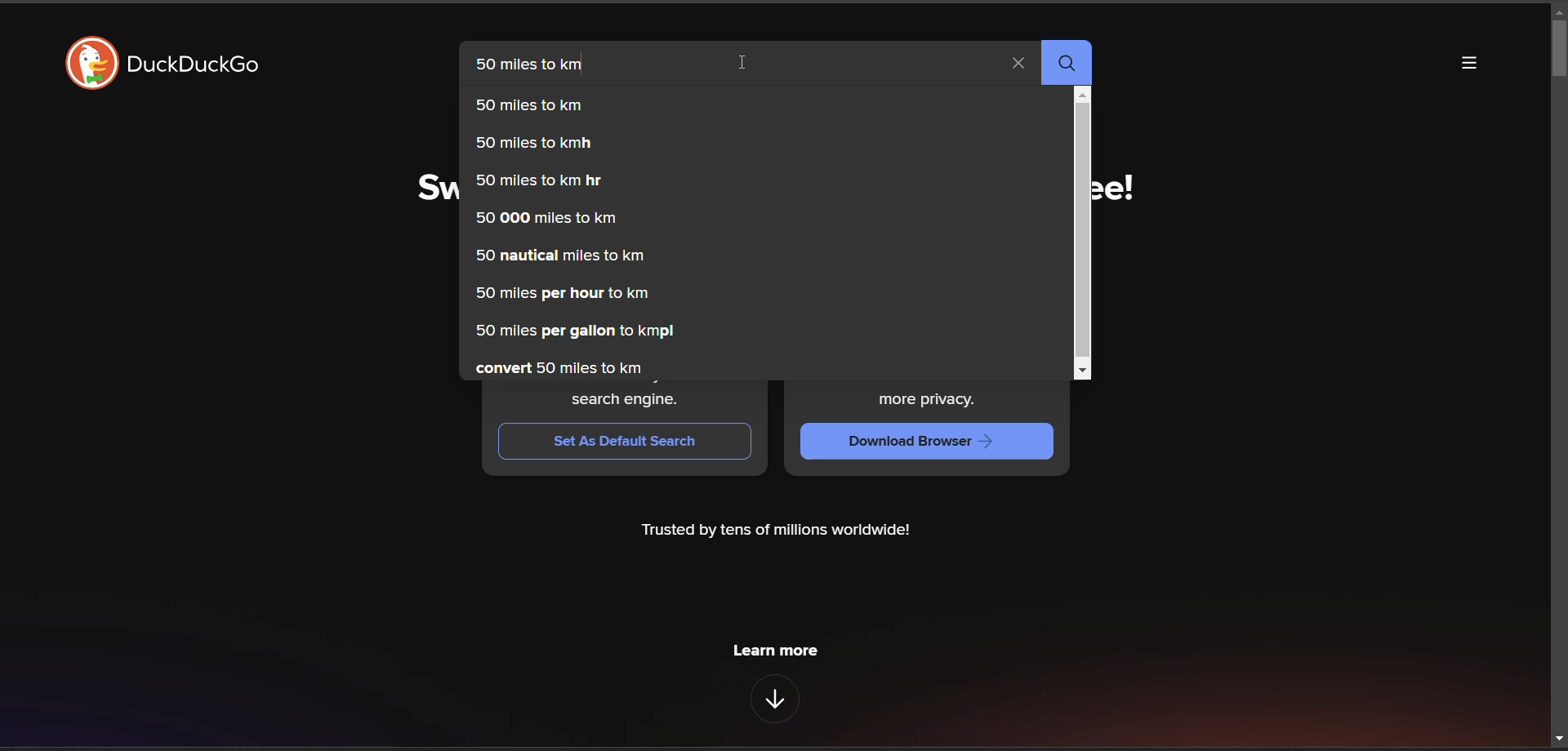  I want to click on convert 50 miles to km, so click(558, 368).